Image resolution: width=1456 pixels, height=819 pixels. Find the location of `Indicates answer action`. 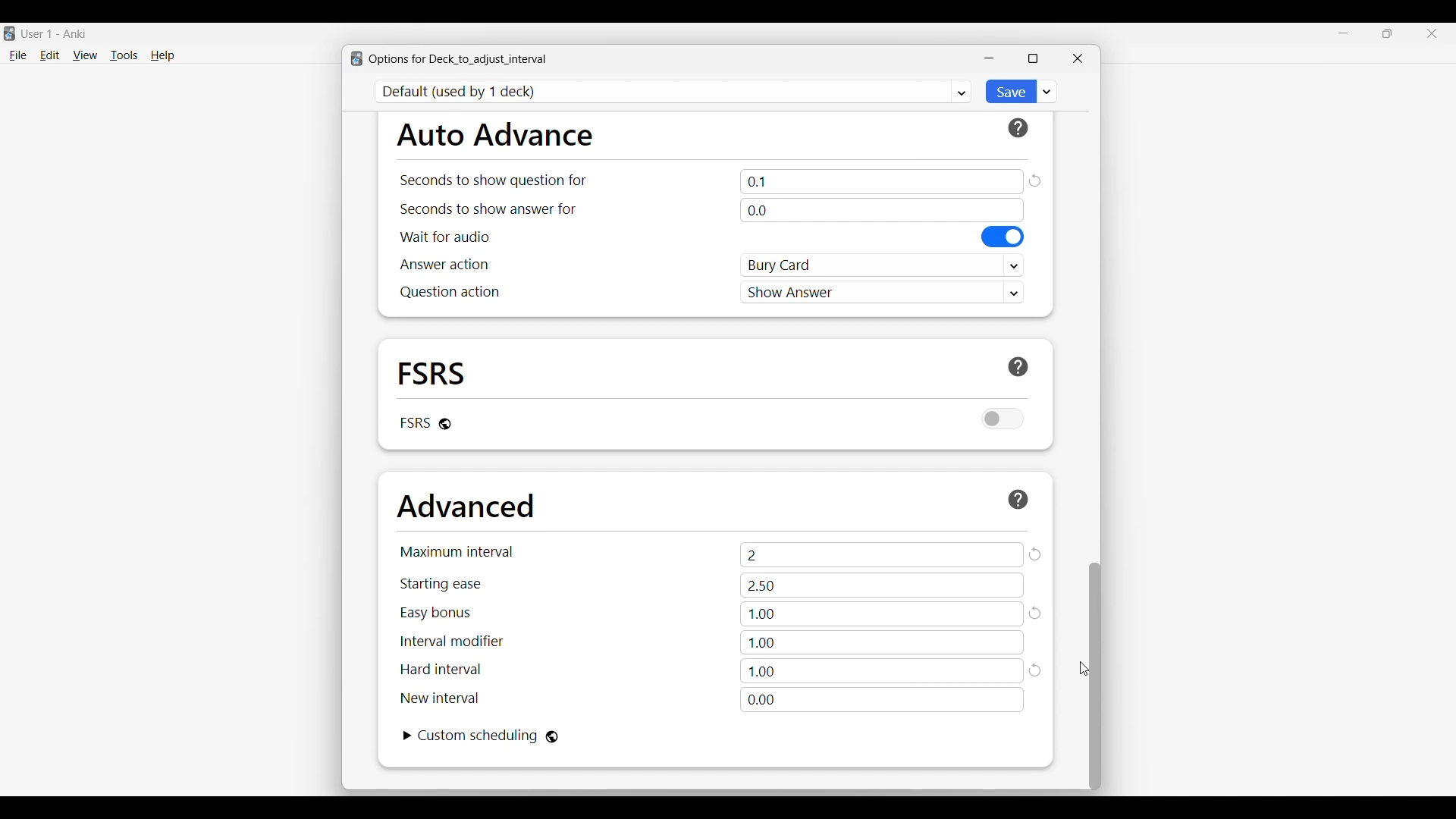

Indicates answer action is located at coordinates (444, 264).